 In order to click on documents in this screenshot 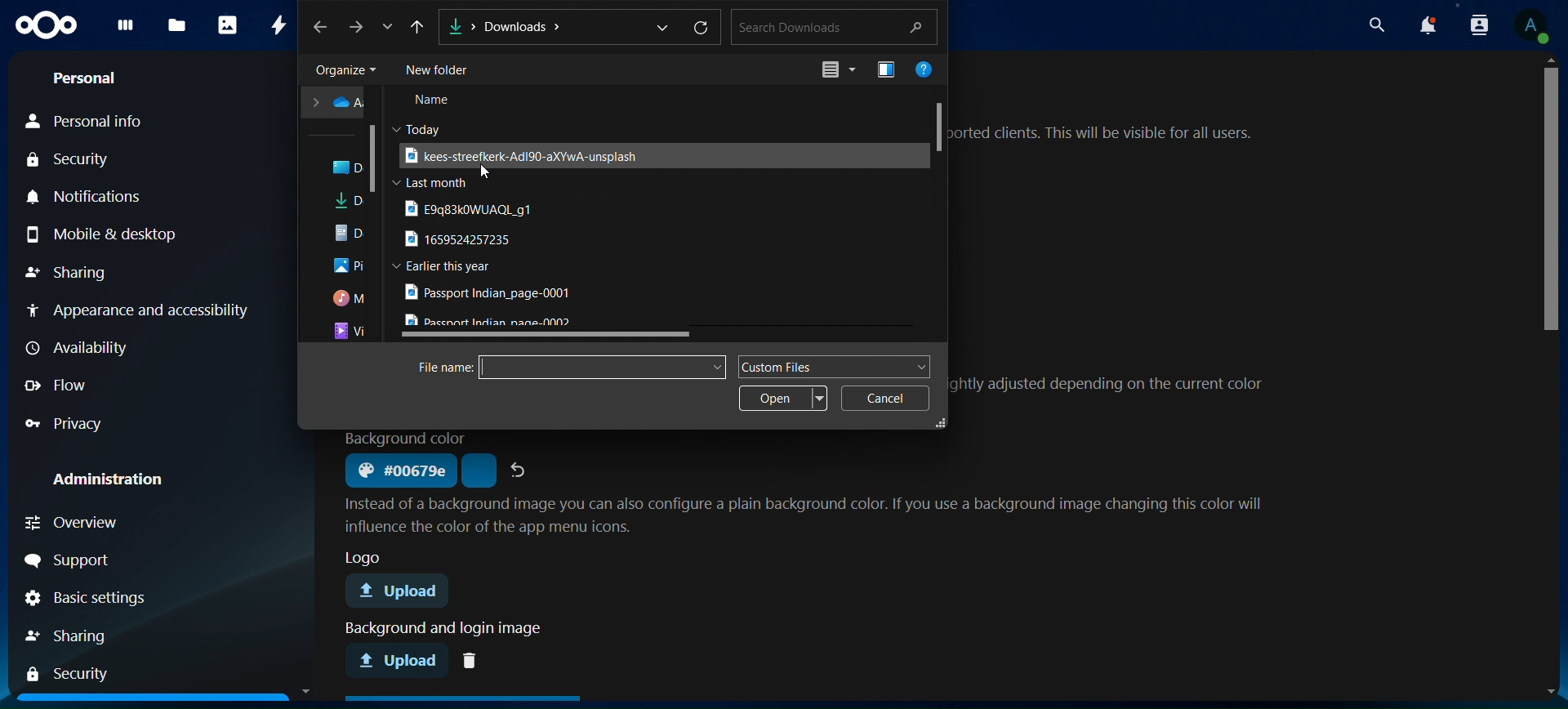, I will do `click(351, 233)`.